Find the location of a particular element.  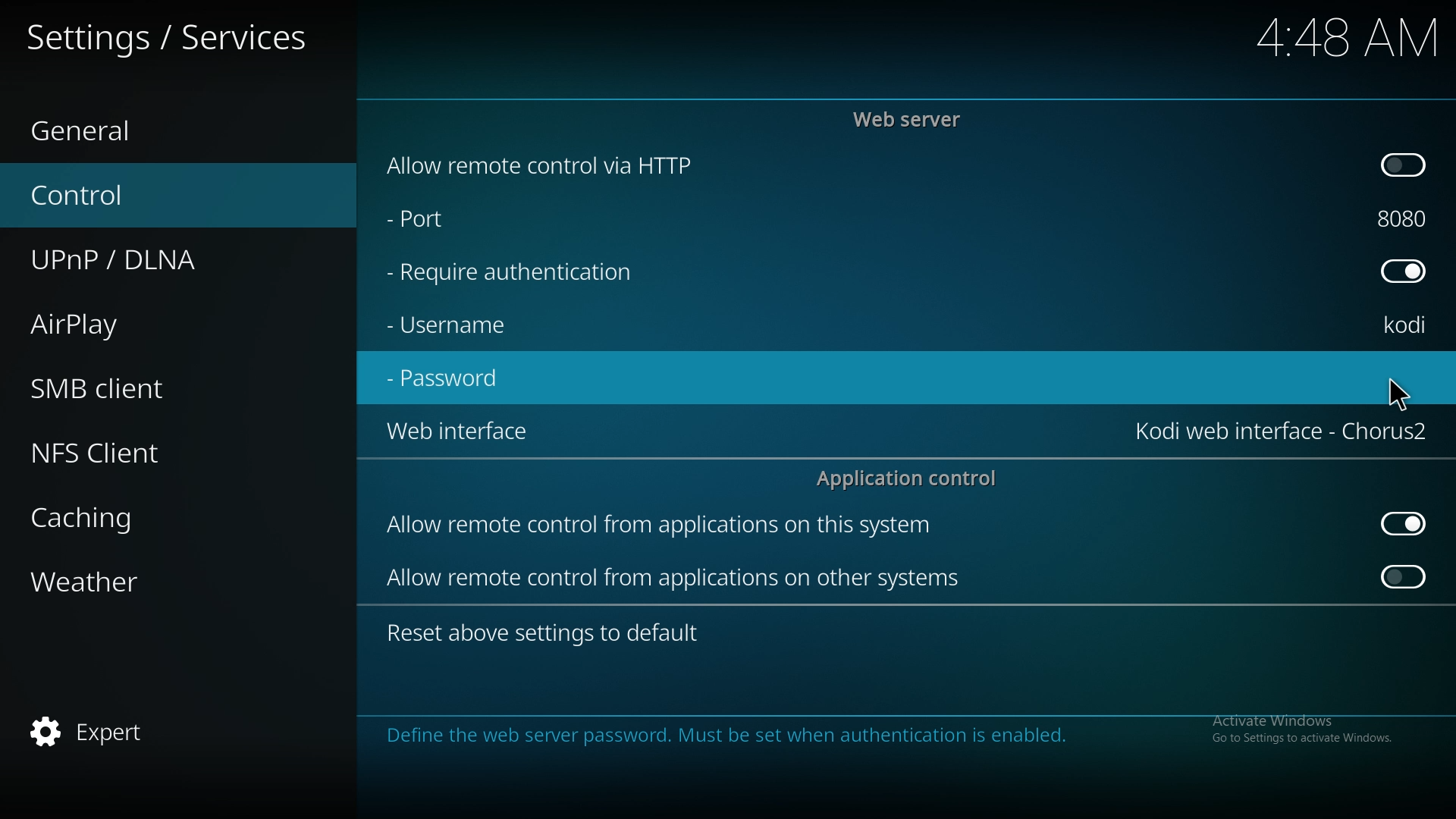

allow remote control from apps on this system is located at coordinates (684, 526).